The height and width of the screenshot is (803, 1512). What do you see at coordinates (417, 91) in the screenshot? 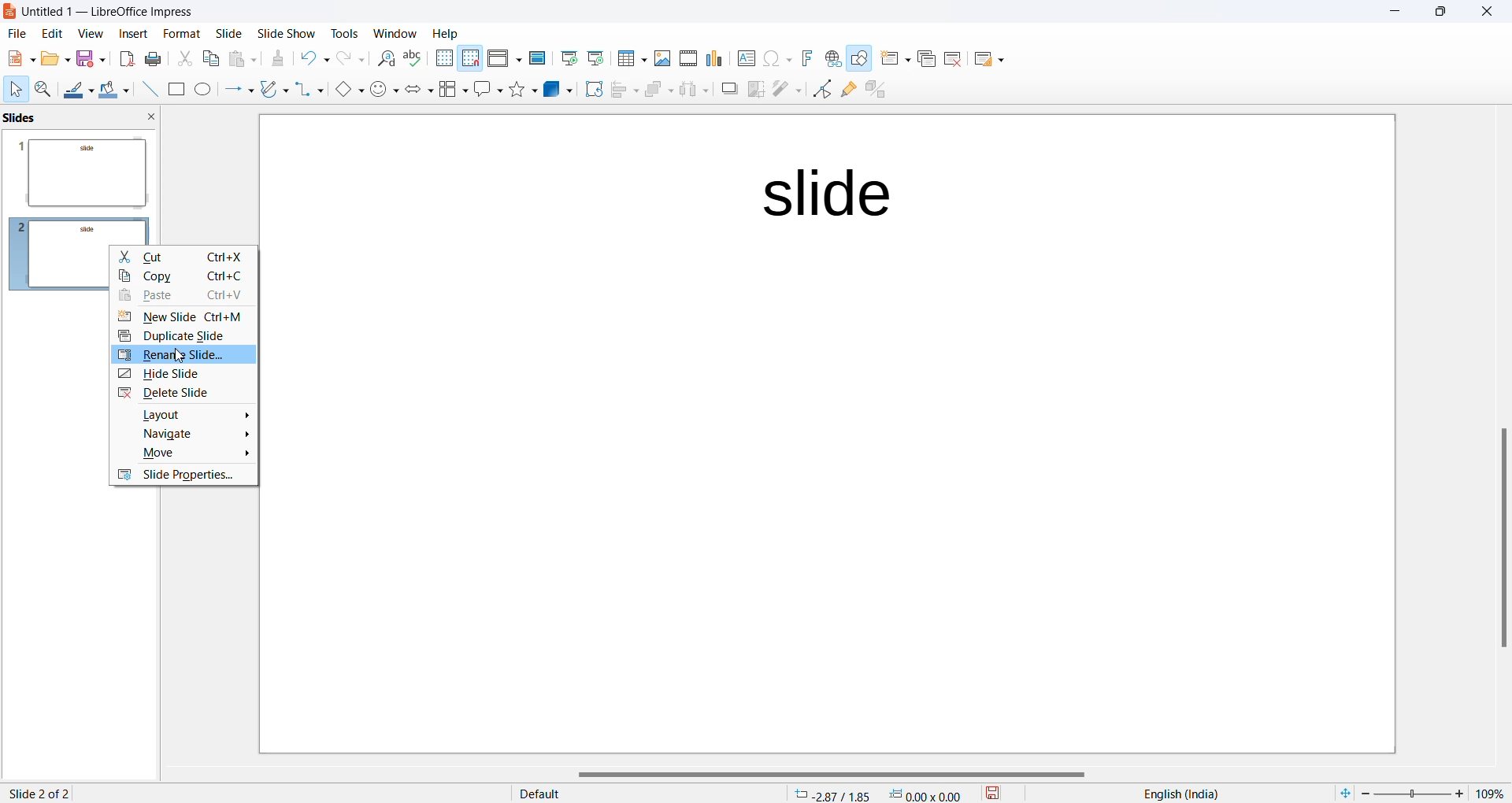
I see `Block arrows` at bounding box center [417, 91].